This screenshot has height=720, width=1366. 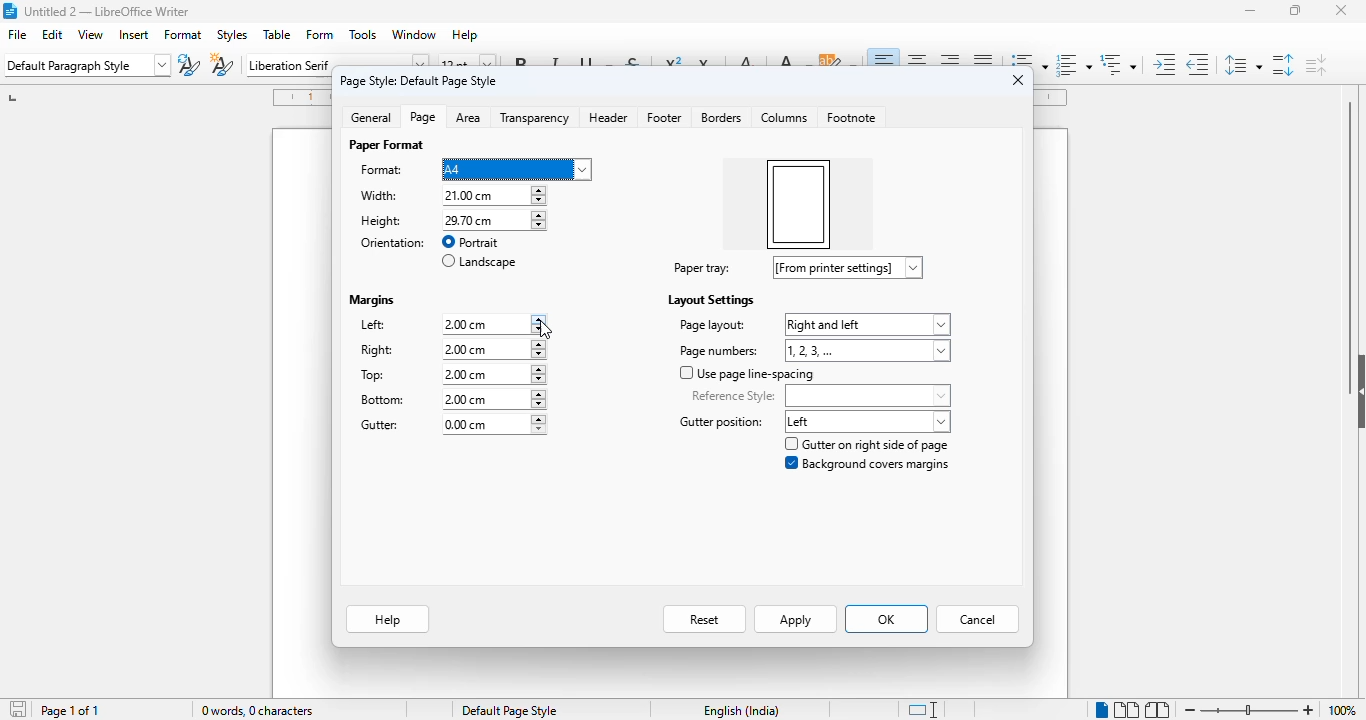 I want to click on maximize, so click(x=1295, y=10).